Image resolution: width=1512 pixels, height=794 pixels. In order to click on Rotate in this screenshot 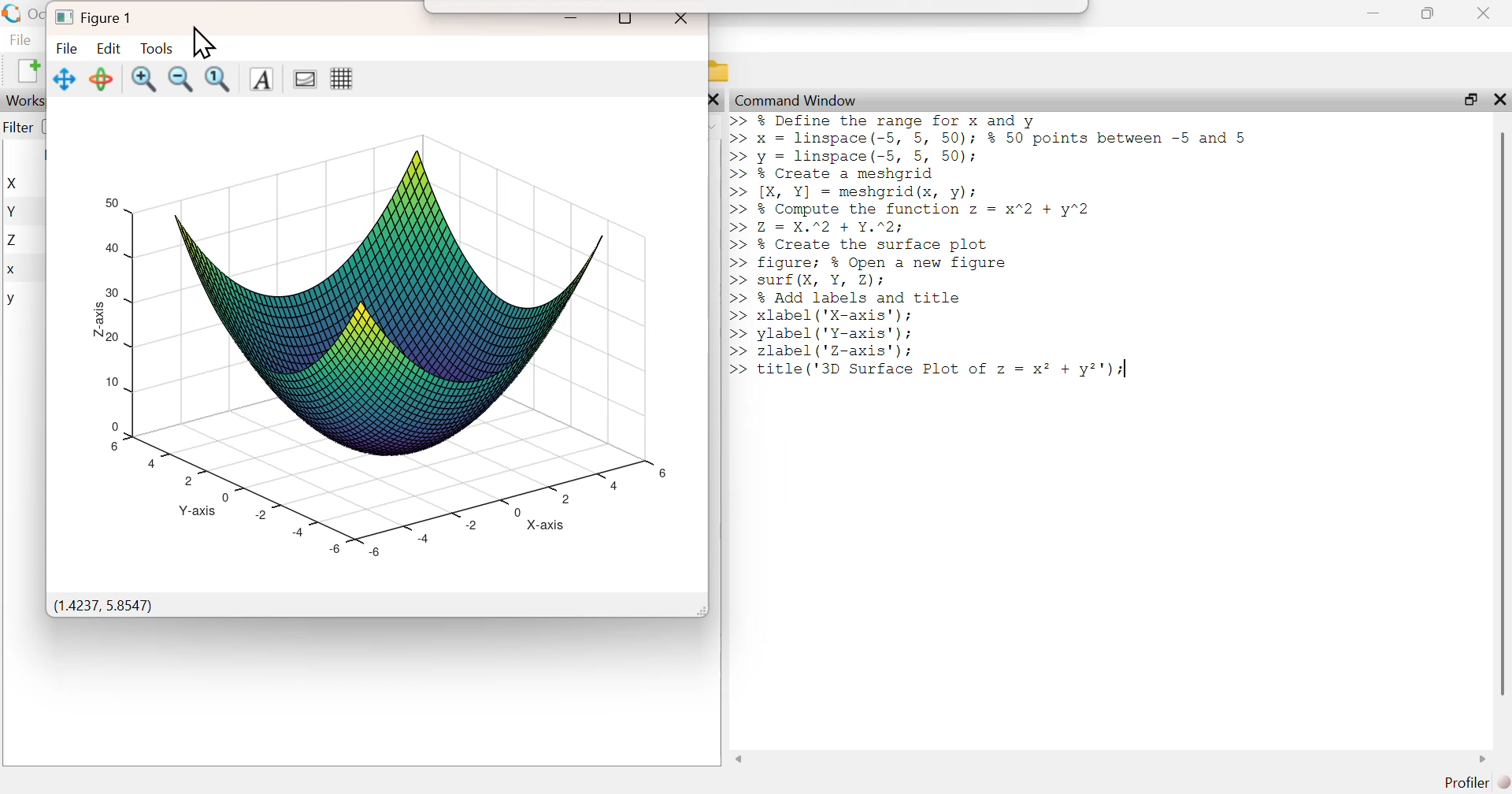, I will do `click(101, 80)`.